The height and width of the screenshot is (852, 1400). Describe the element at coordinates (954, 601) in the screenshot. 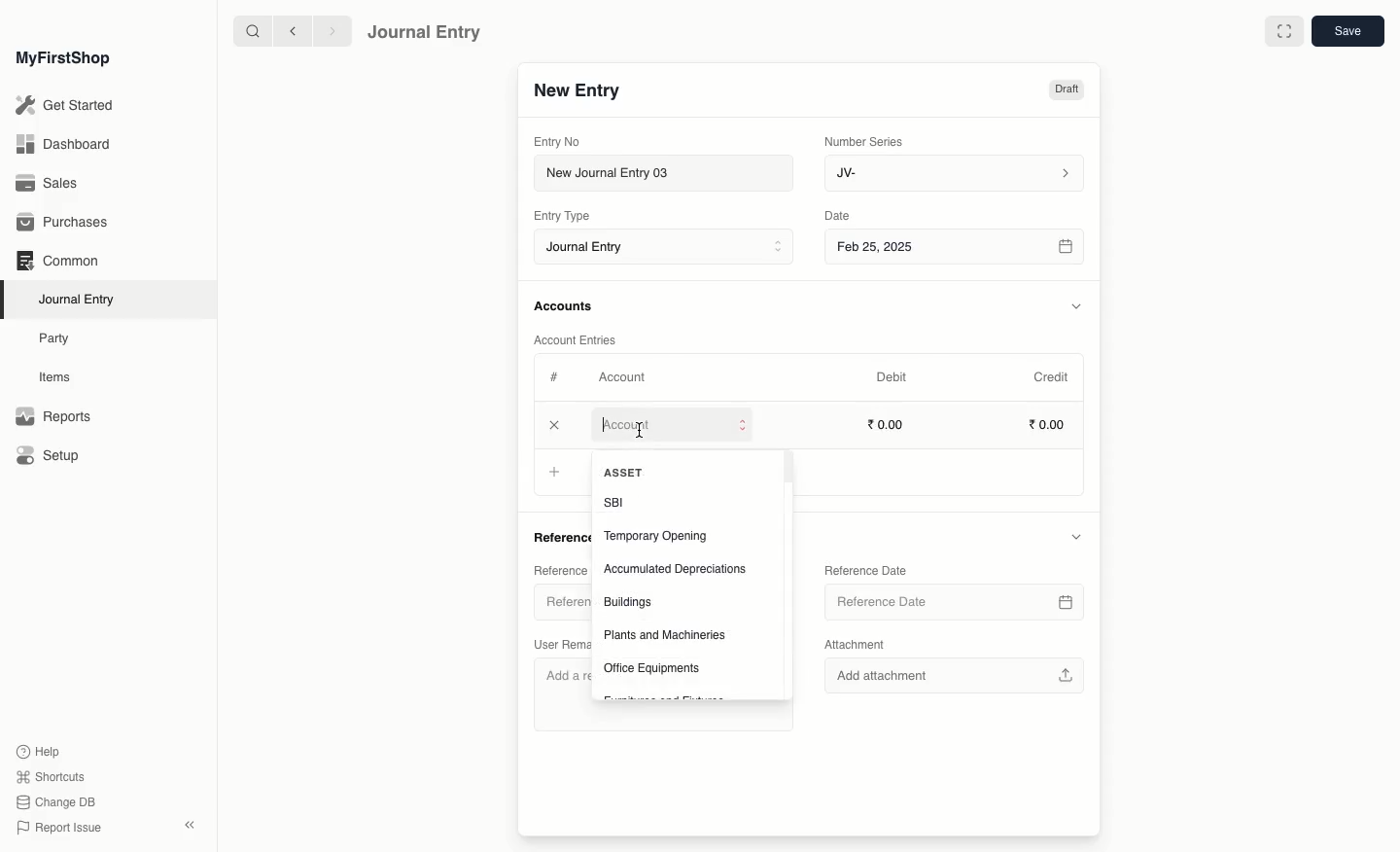

I see `Reference Date` at that location.